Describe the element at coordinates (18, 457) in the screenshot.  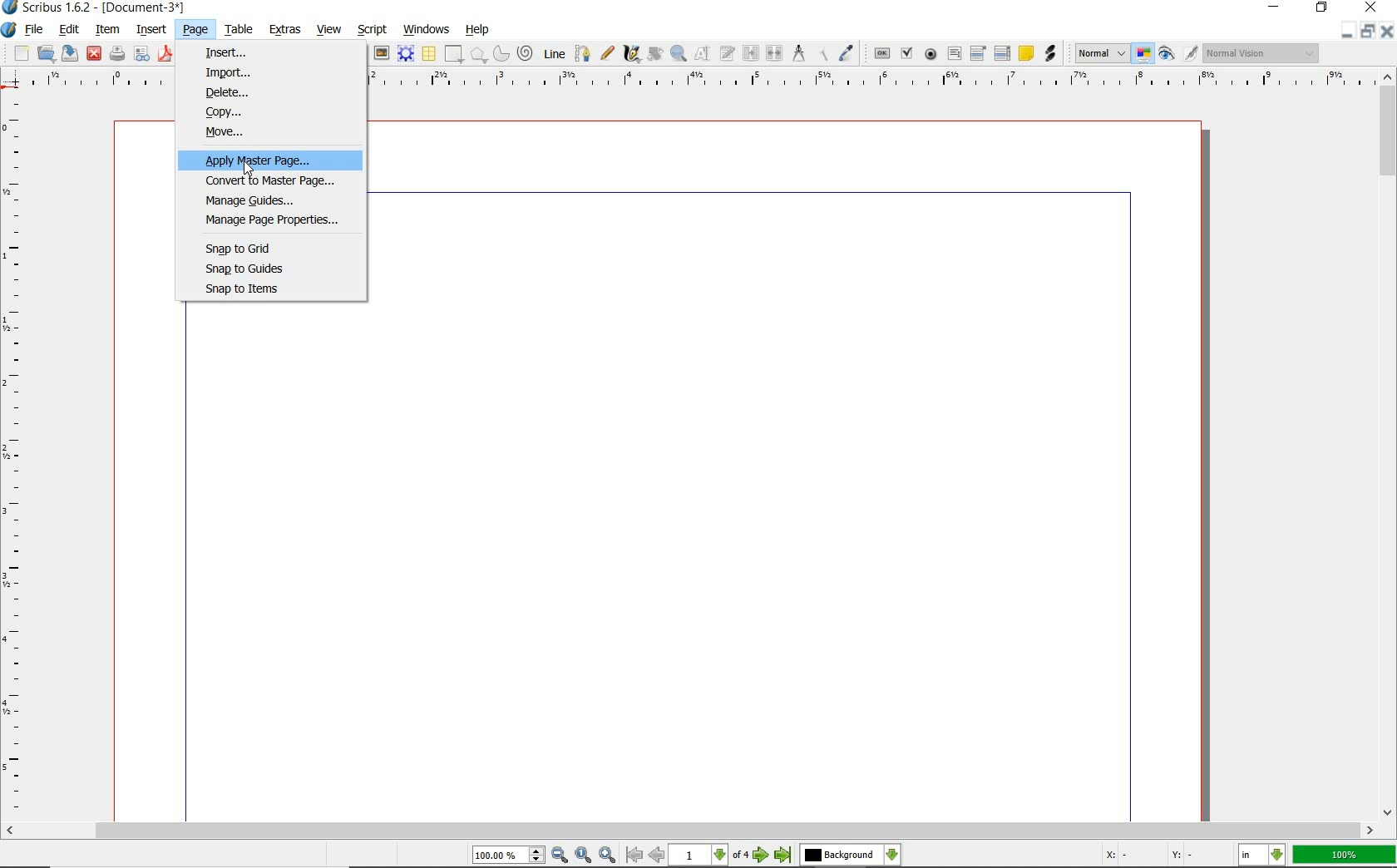
I see `Vertical Margin` at that location.